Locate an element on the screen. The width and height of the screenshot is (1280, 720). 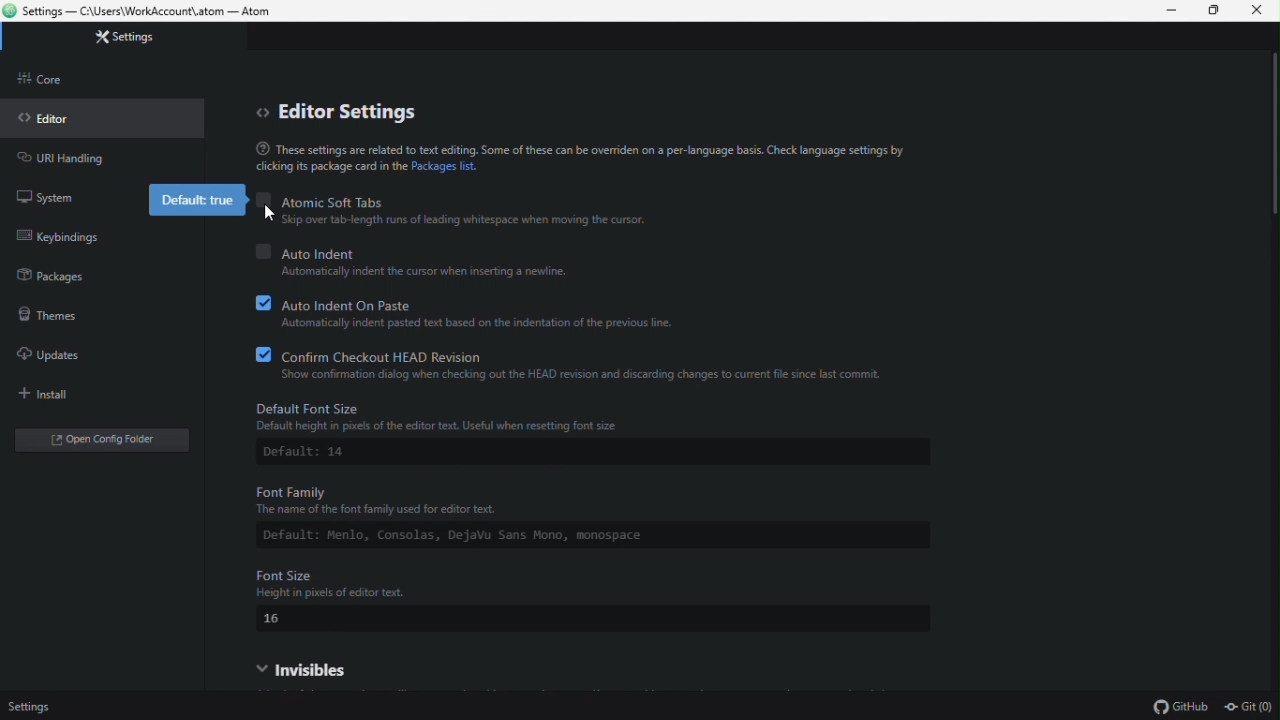
Keybinding is located at coordinates (63, 237).